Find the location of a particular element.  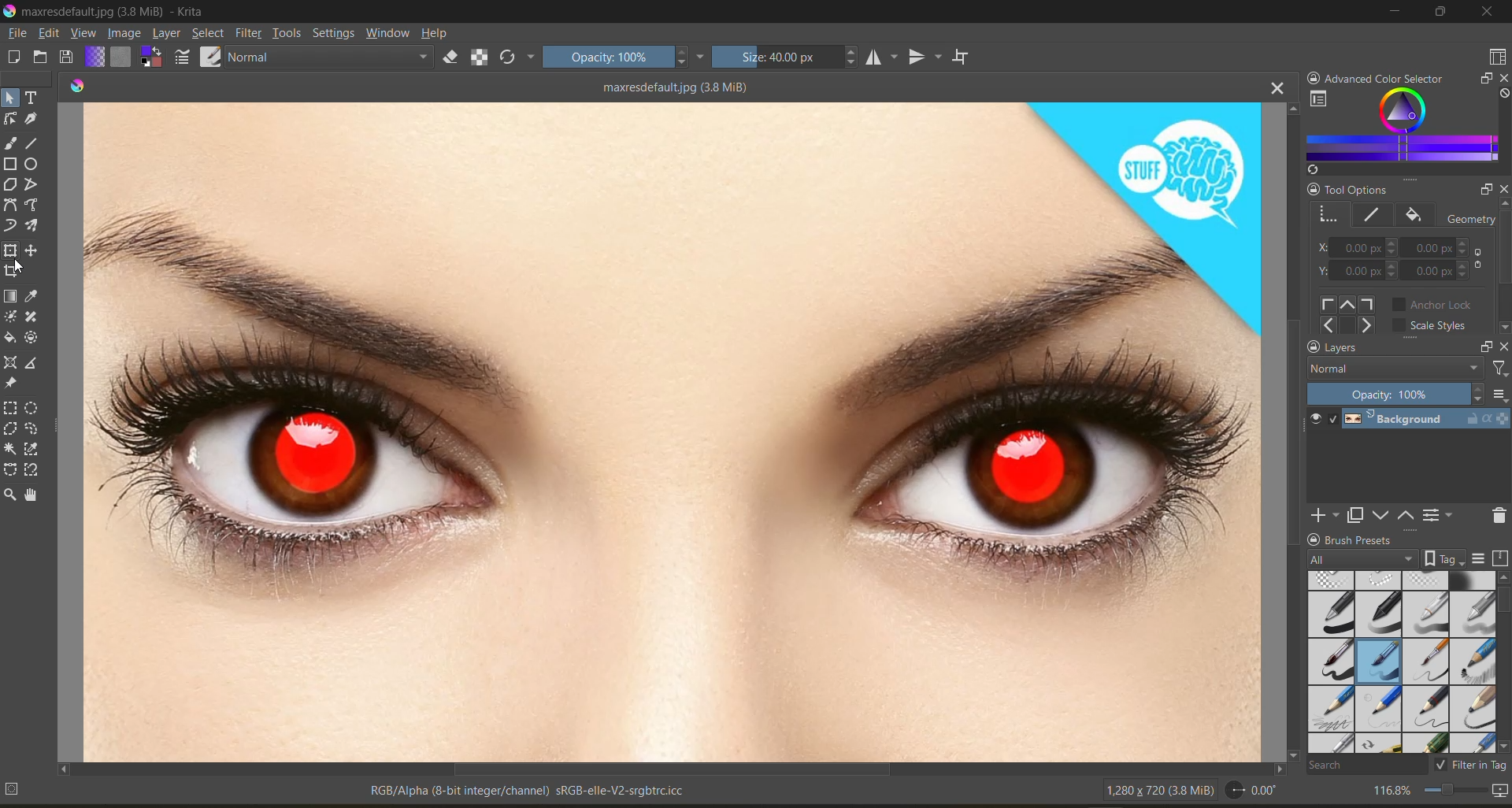

help is located at coordinates (439, 34).